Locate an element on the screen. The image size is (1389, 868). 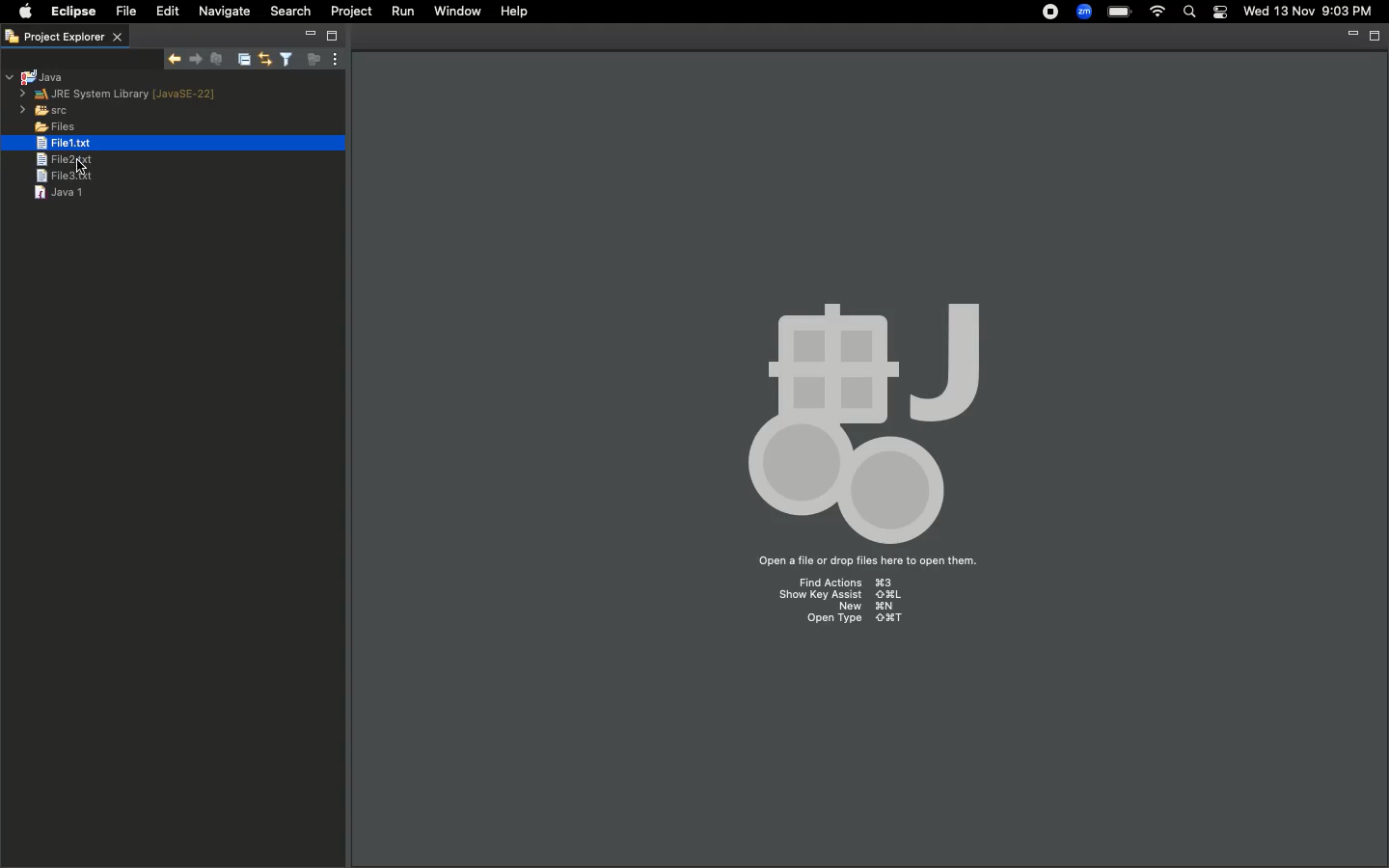
Show next match is located at coordinates (177, 57).